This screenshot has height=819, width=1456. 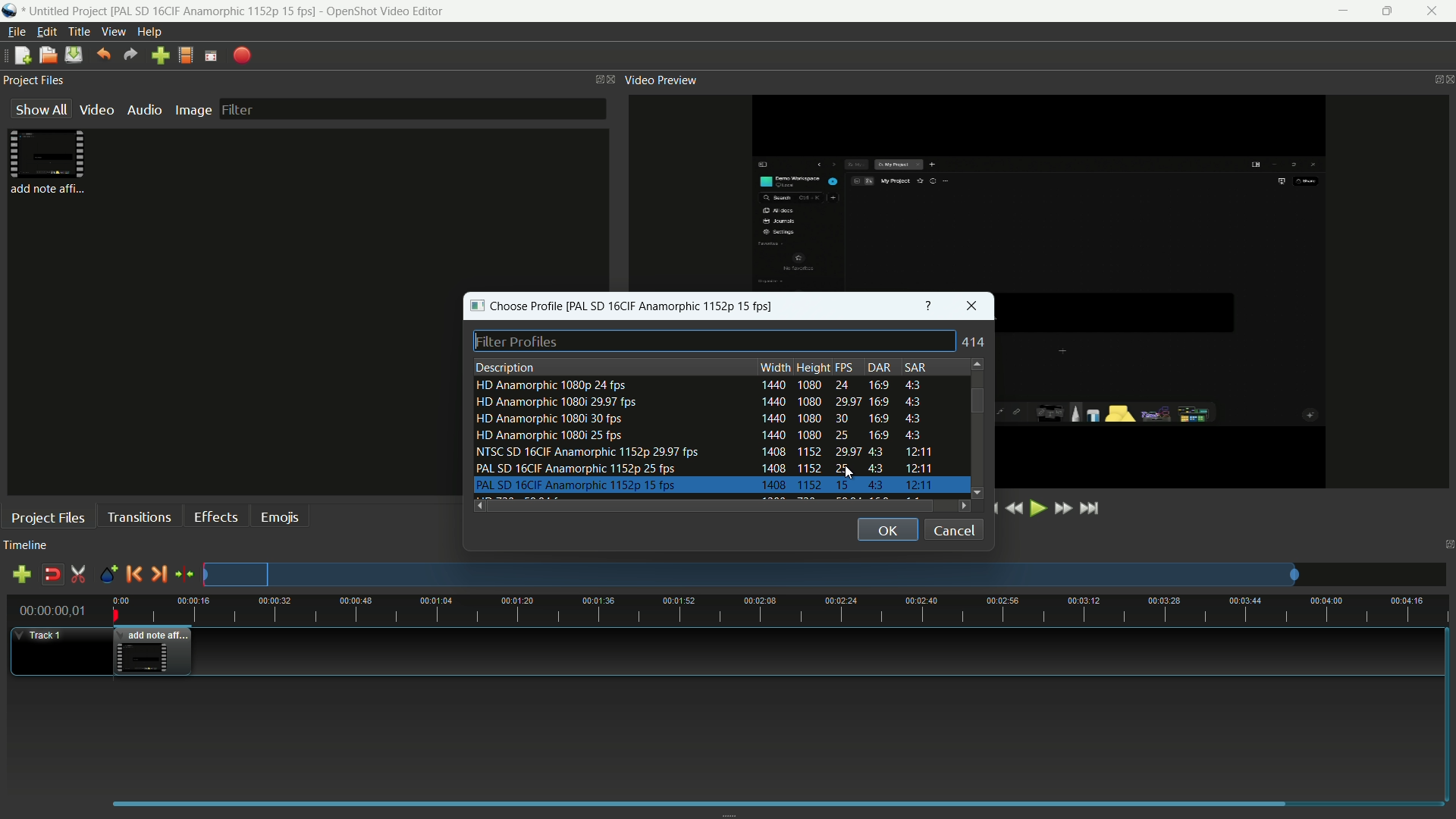 What do you see at coordinates (699, 419) in the screenshot?
I see `profile-3` at bounding box center [699, 419].